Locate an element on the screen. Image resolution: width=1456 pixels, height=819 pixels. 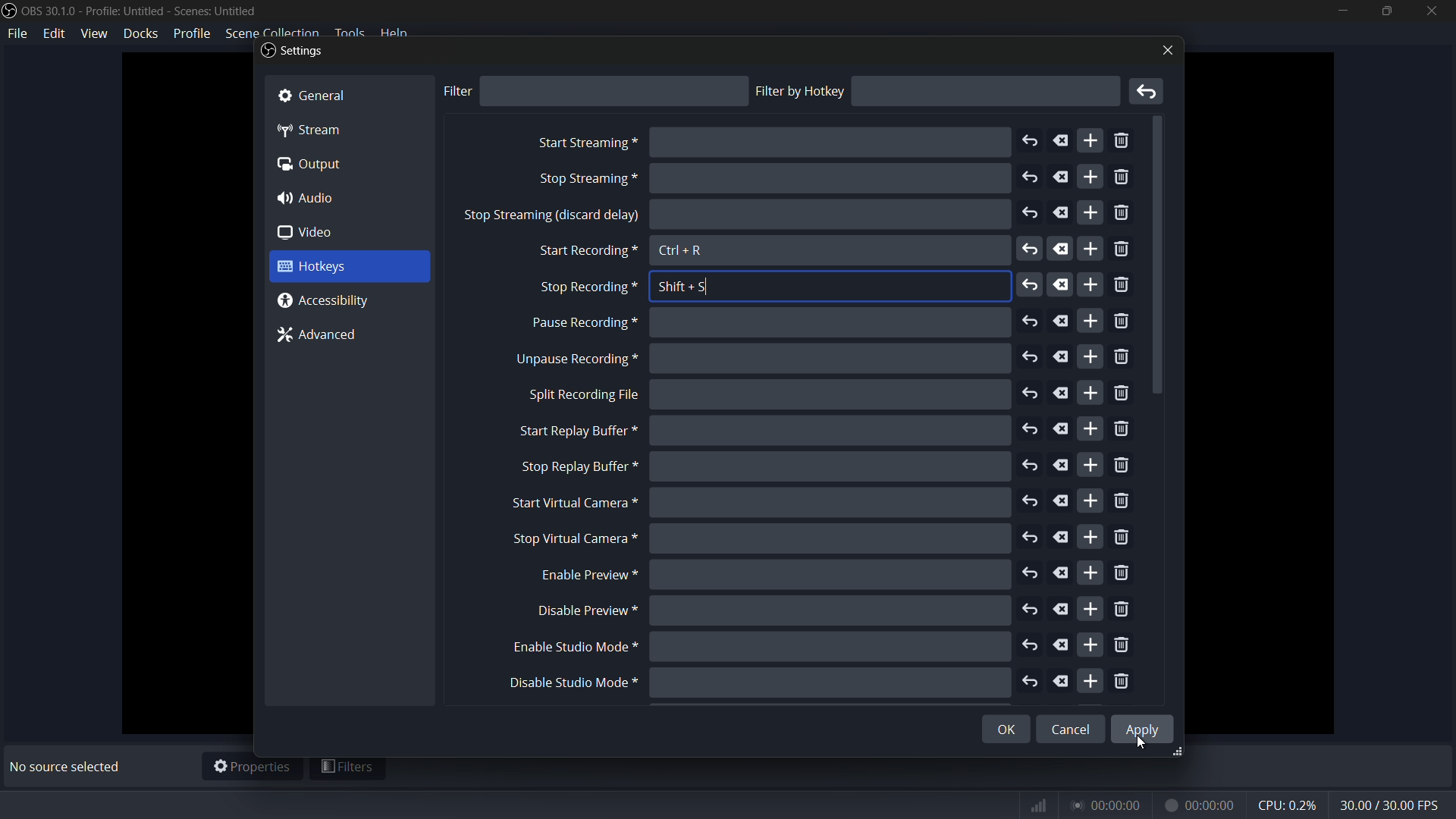
 is located at coordinates (1061, 177).